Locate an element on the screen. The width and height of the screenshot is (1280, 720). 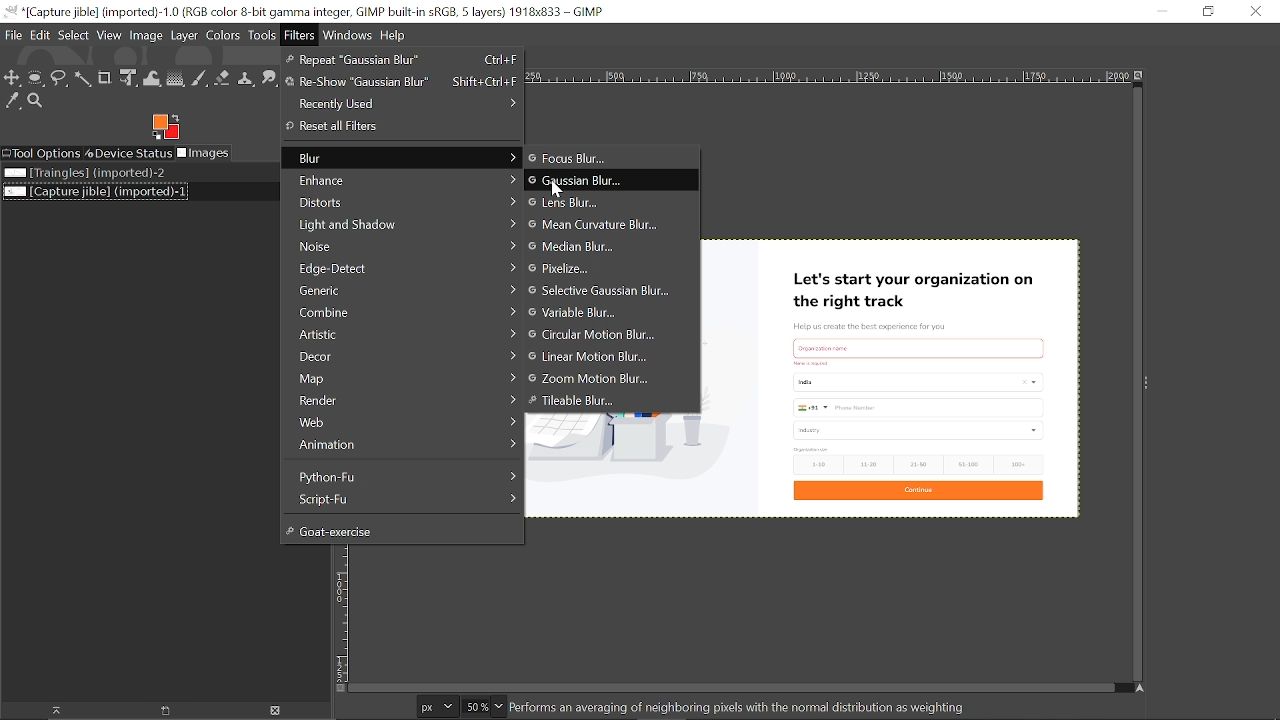
Restore down is located at coordinates (1205, 11).